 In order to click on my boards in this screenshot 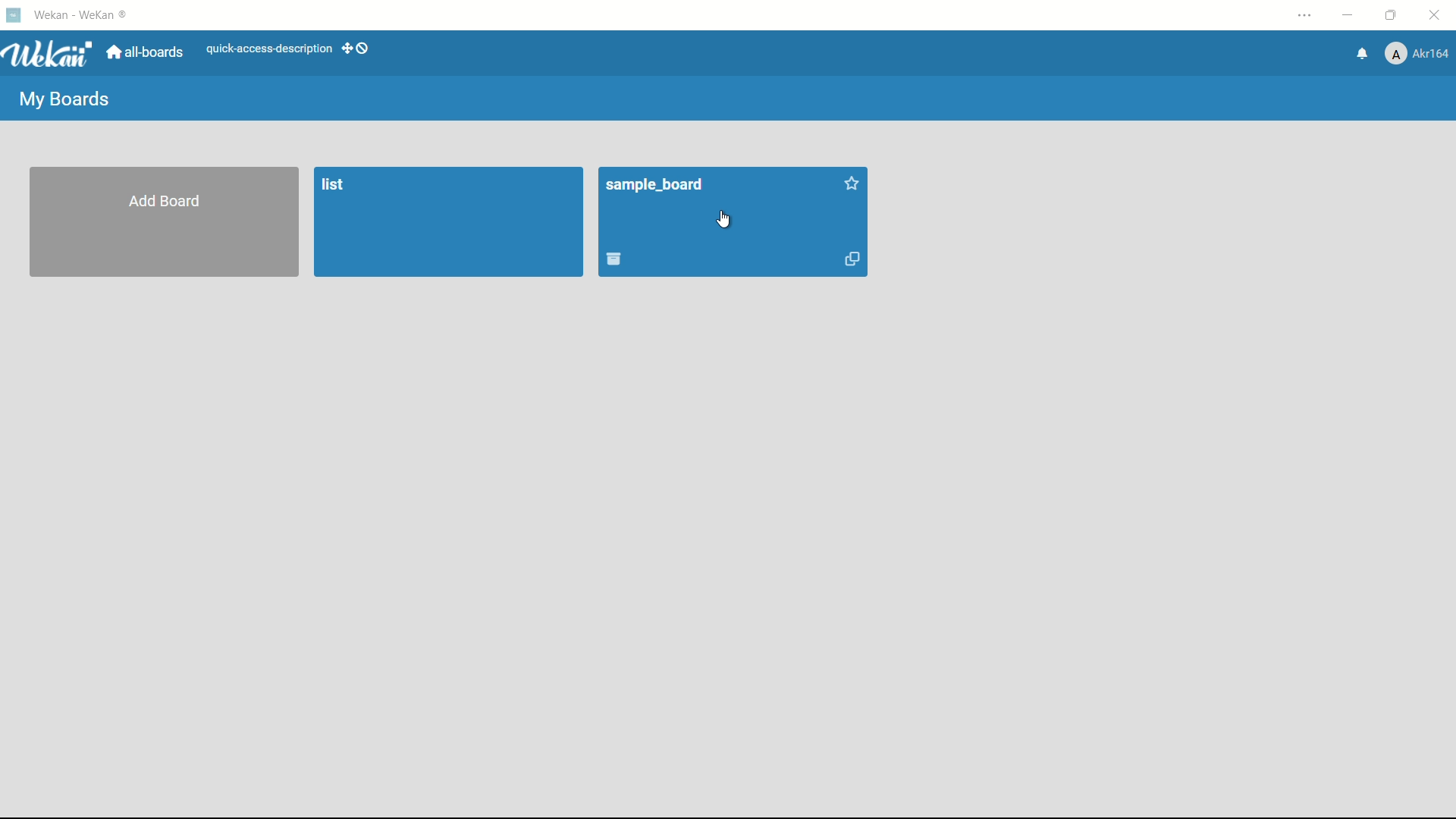, I will do `click(66, 99)`.